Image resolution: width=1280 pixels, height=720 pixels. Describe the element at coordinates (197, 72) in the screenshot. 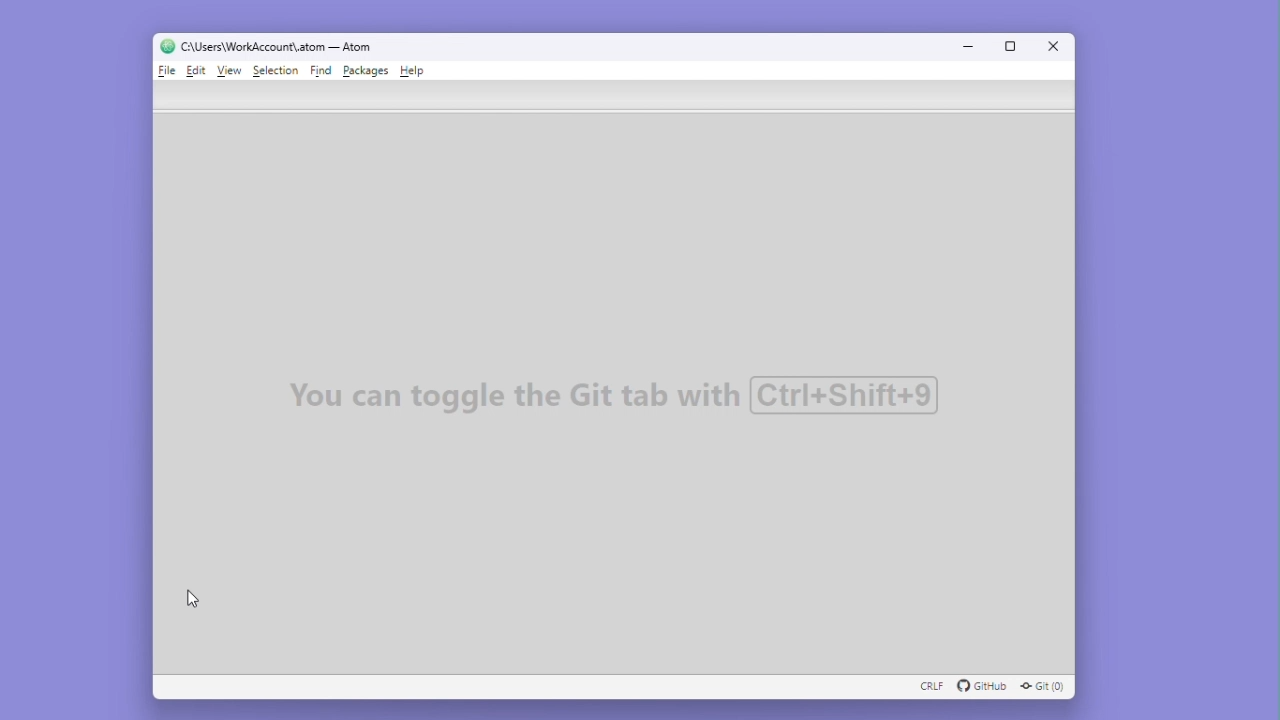

I see `Edit` at that location.